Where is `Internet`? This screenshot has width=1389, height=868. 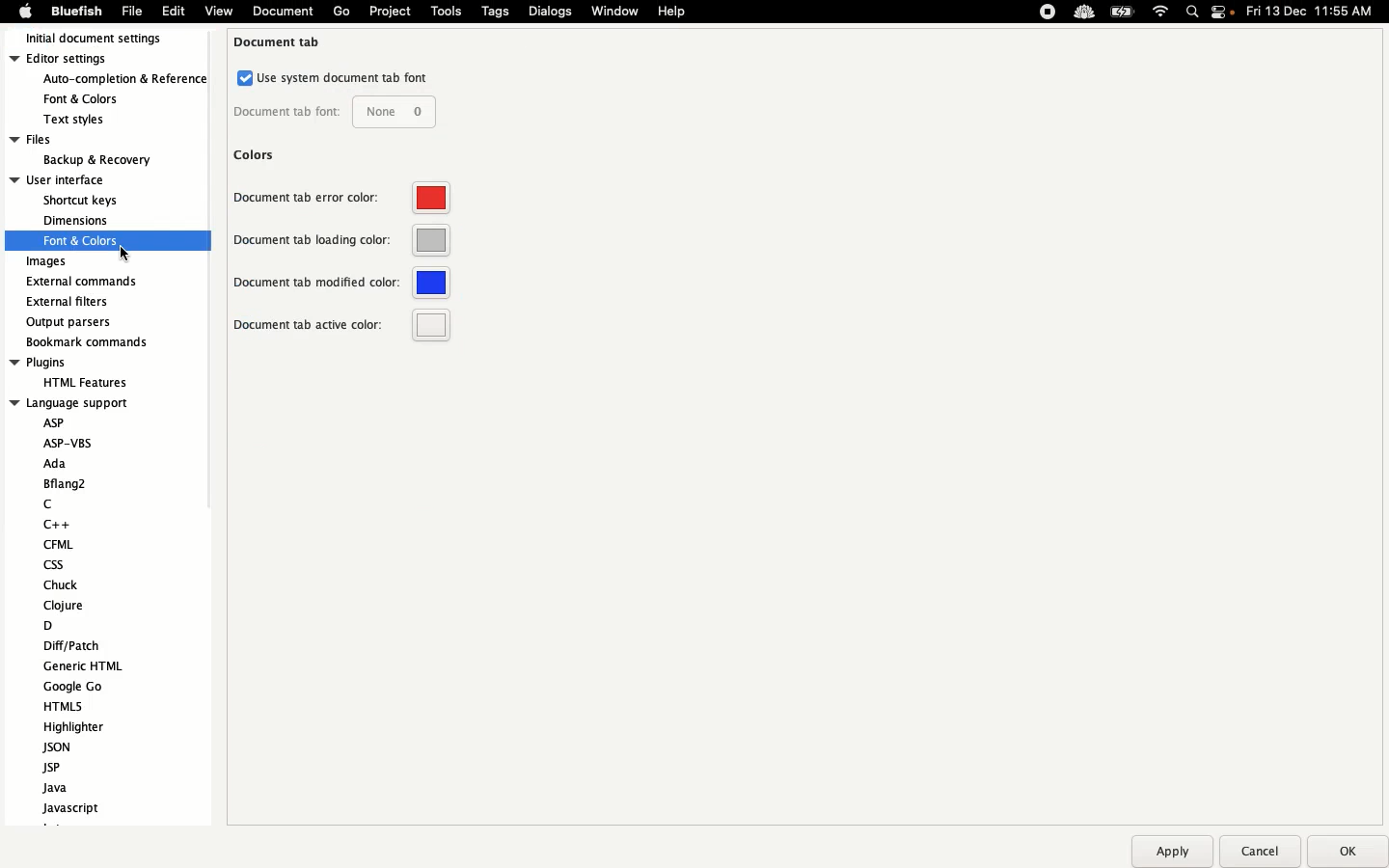
Internet is located at coordinates (1161, 13).